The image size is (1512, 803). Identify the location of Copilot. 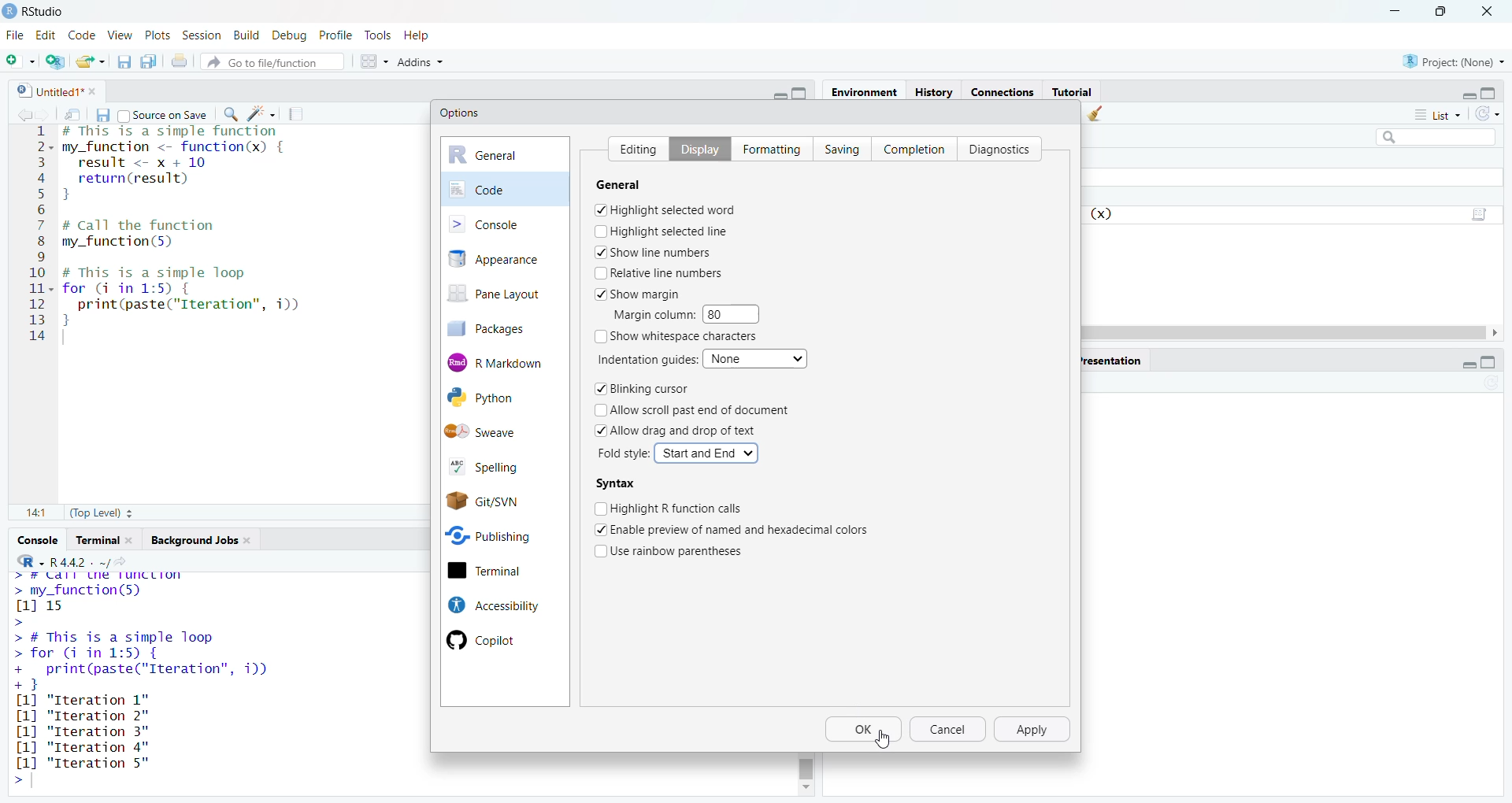
(490, 641).